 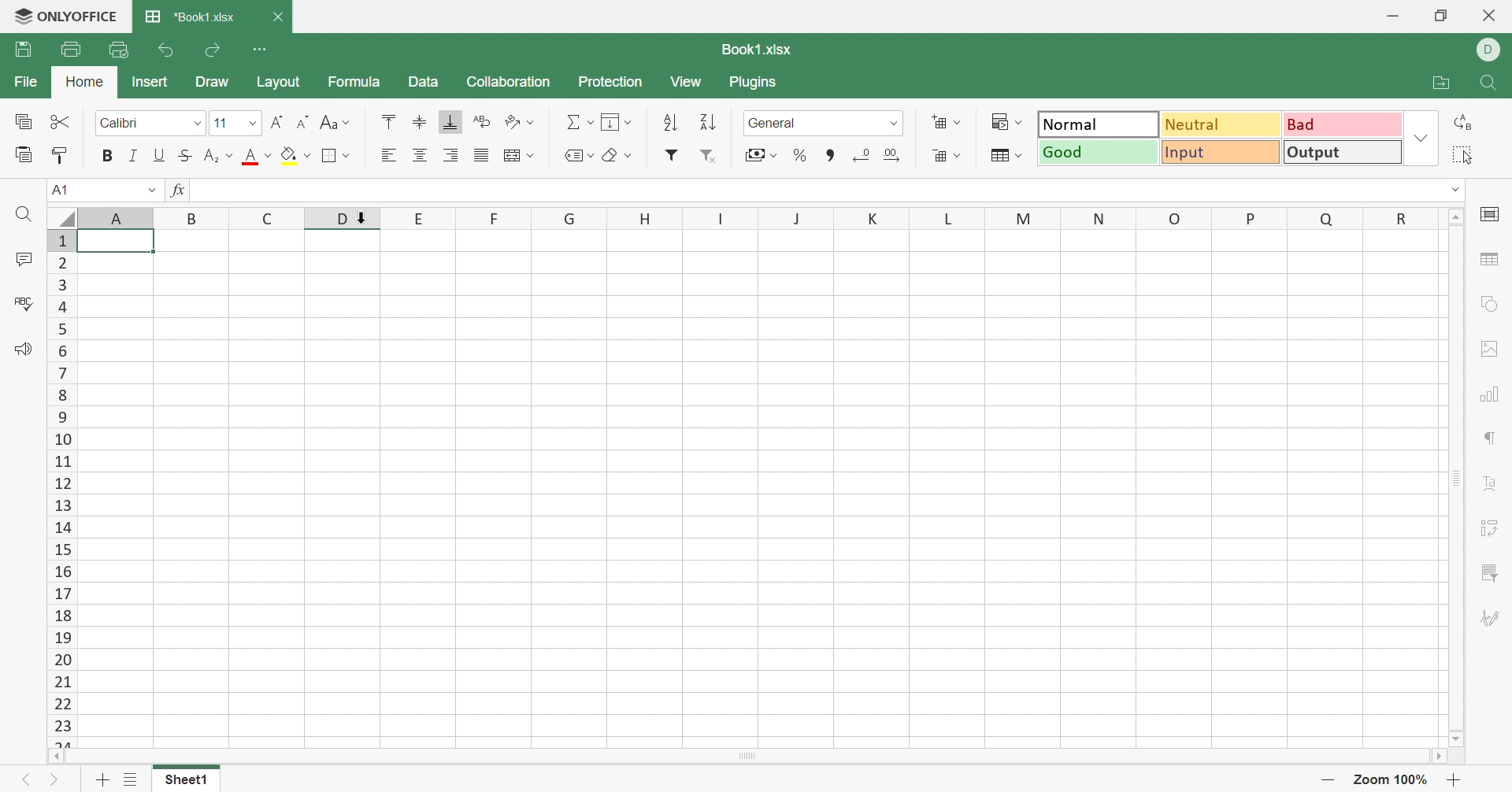 What do you see at coordinates (215, 49) in the screenshot?
I see `Redo` at bounding box center [215, 49].